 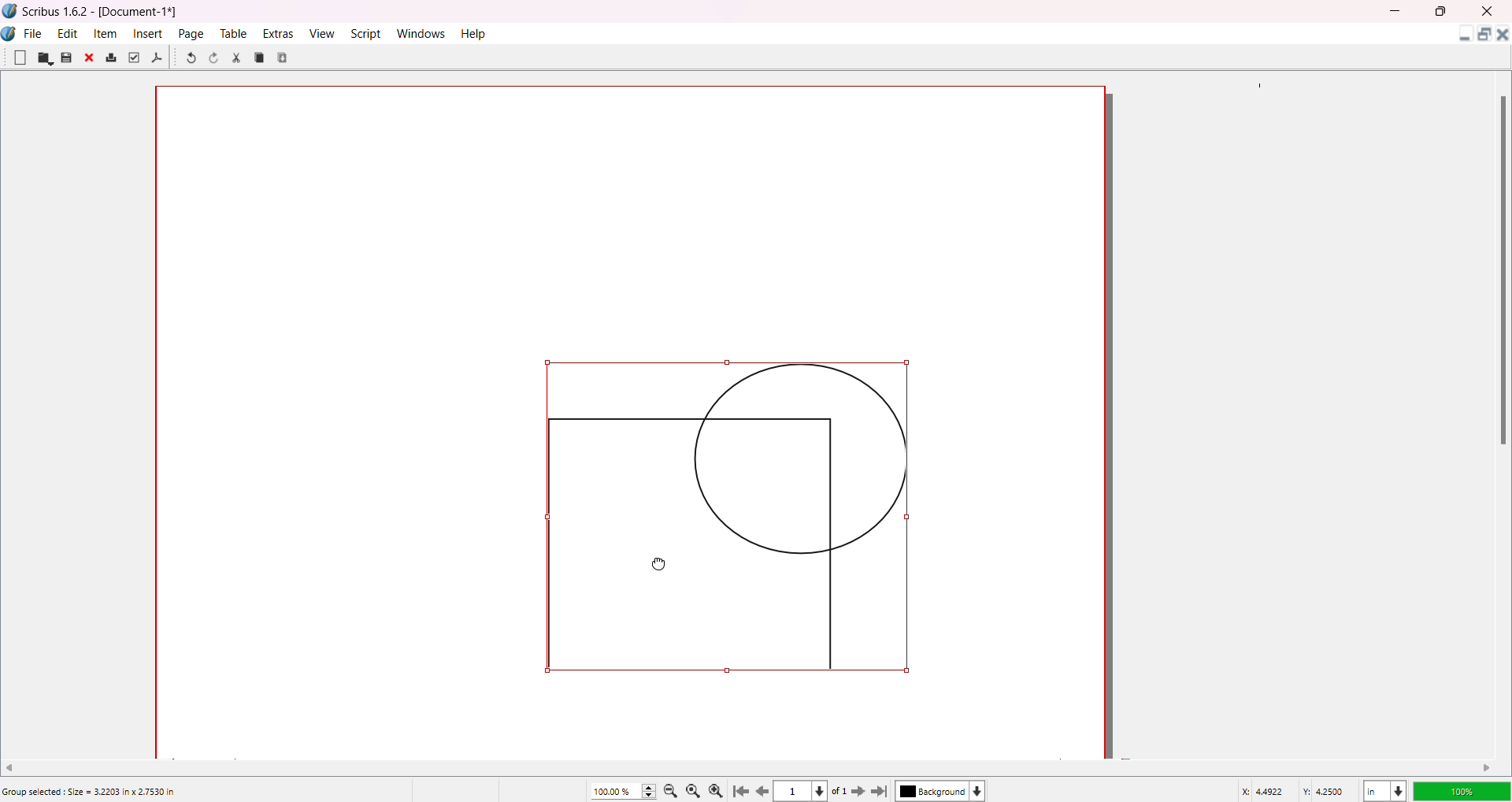 What do you see at coordinates (111, 58) in the screenshot?
I see `Print` at bounding box center [111, 58].